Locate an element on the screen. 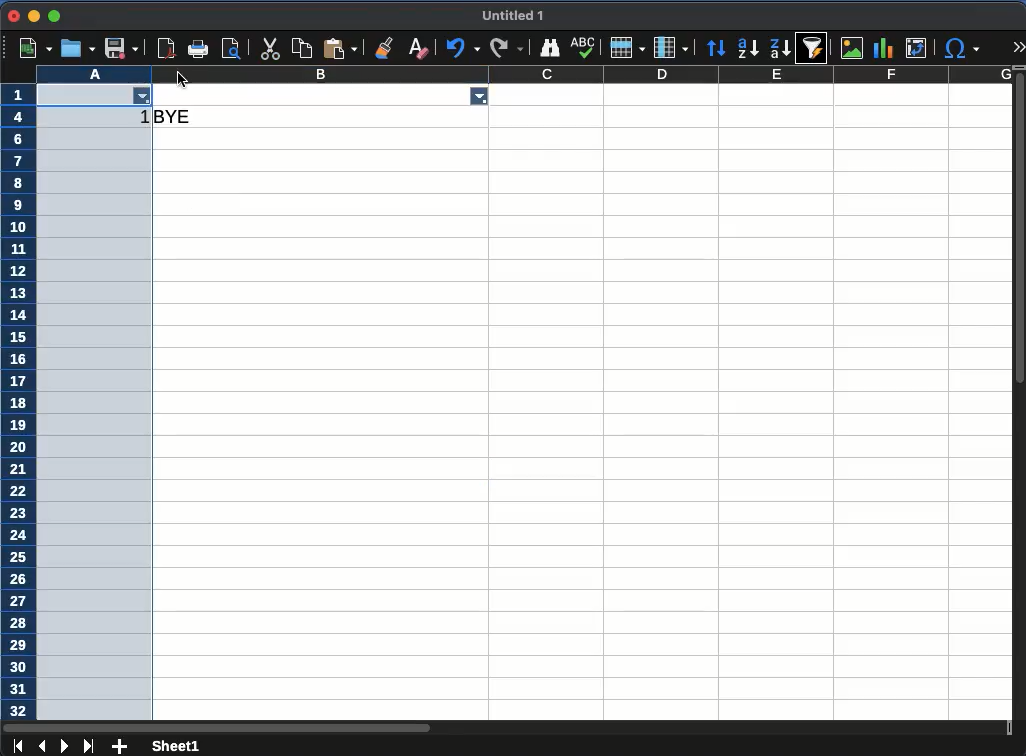  redo is located at coordinates (505, 48).